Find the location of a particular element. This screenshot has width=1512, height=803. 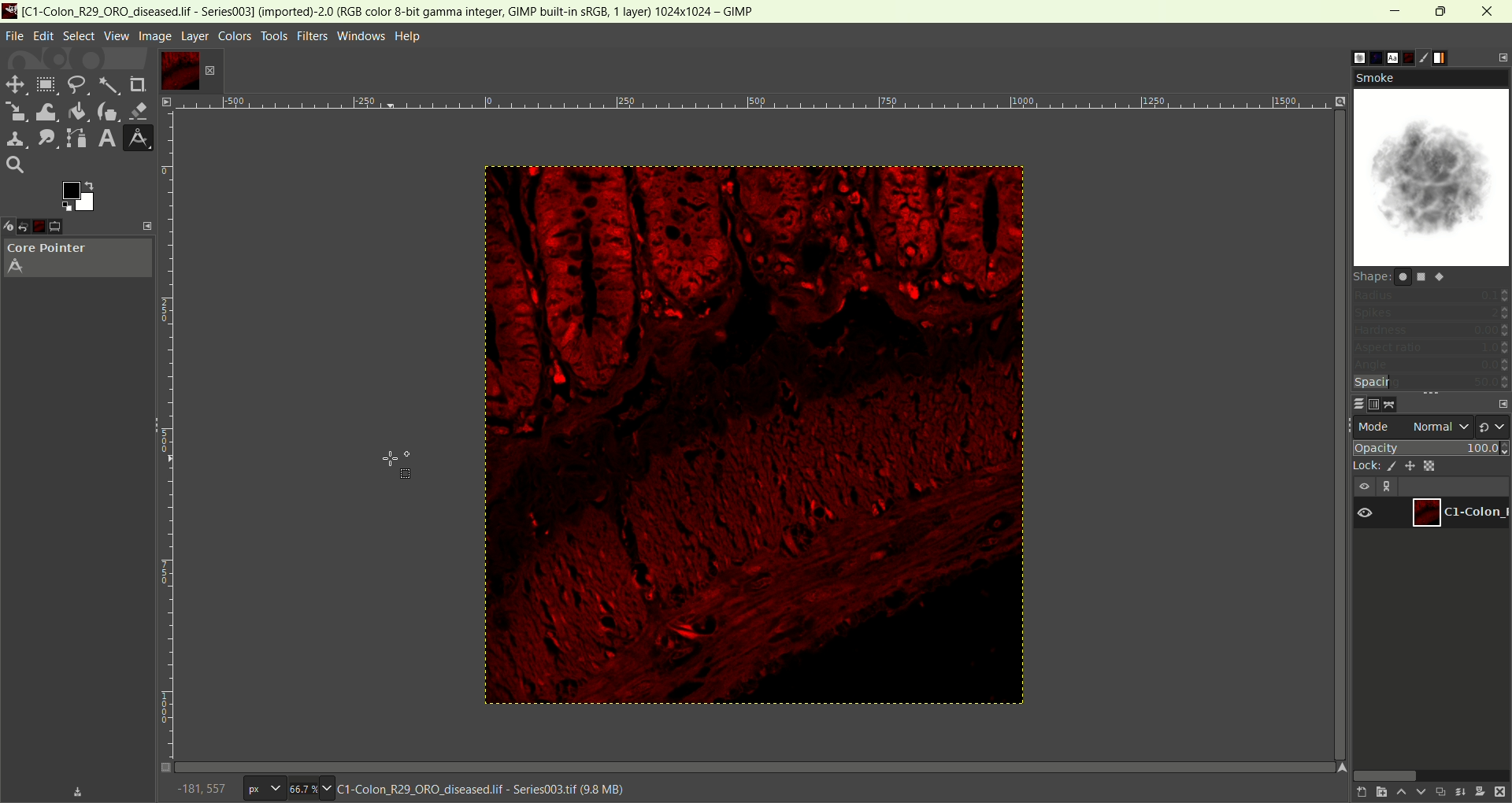

save is located at coordinates (78, 792).